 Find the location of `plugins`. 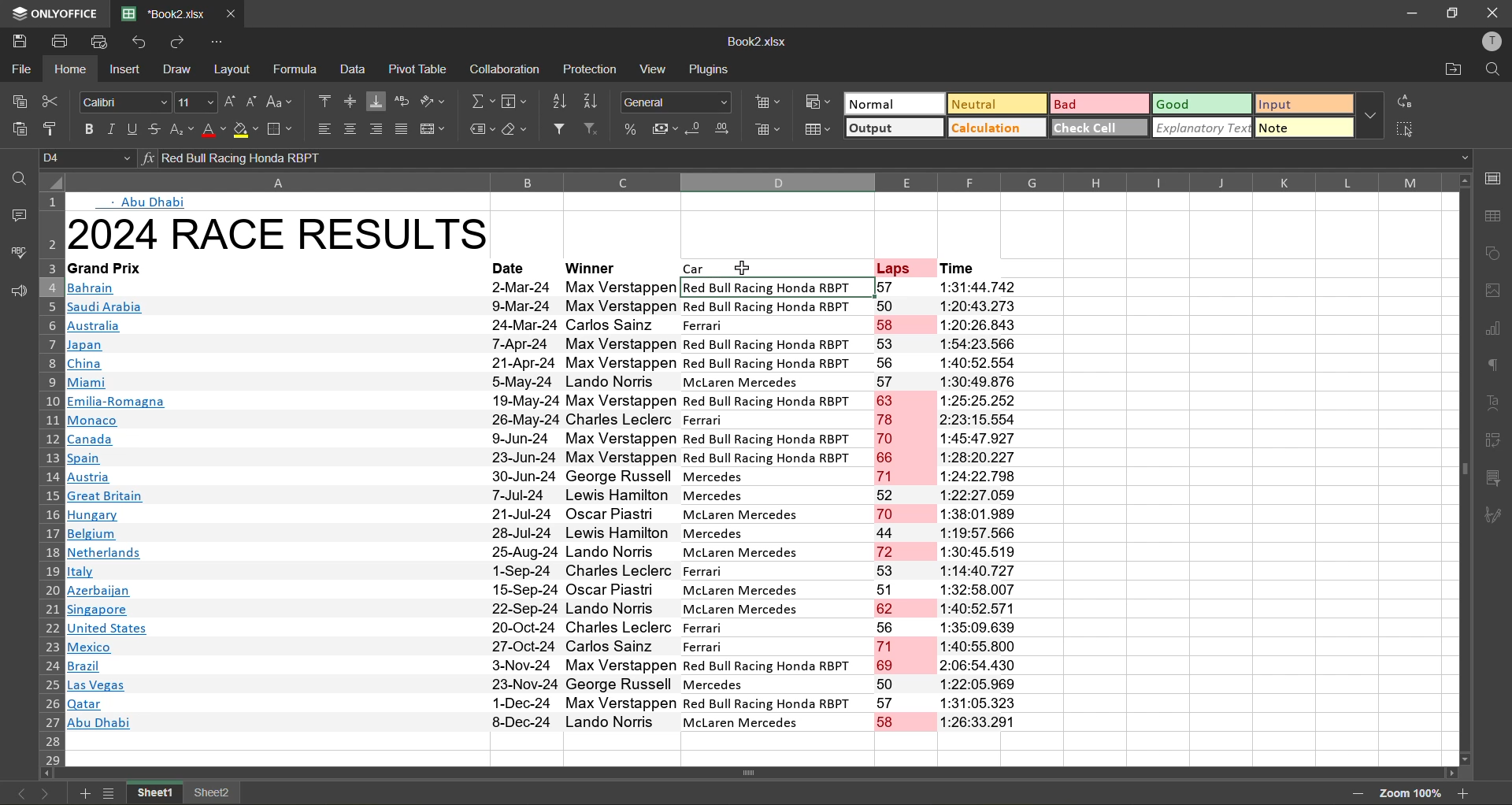

plugins is located at coordinates (710, 69).